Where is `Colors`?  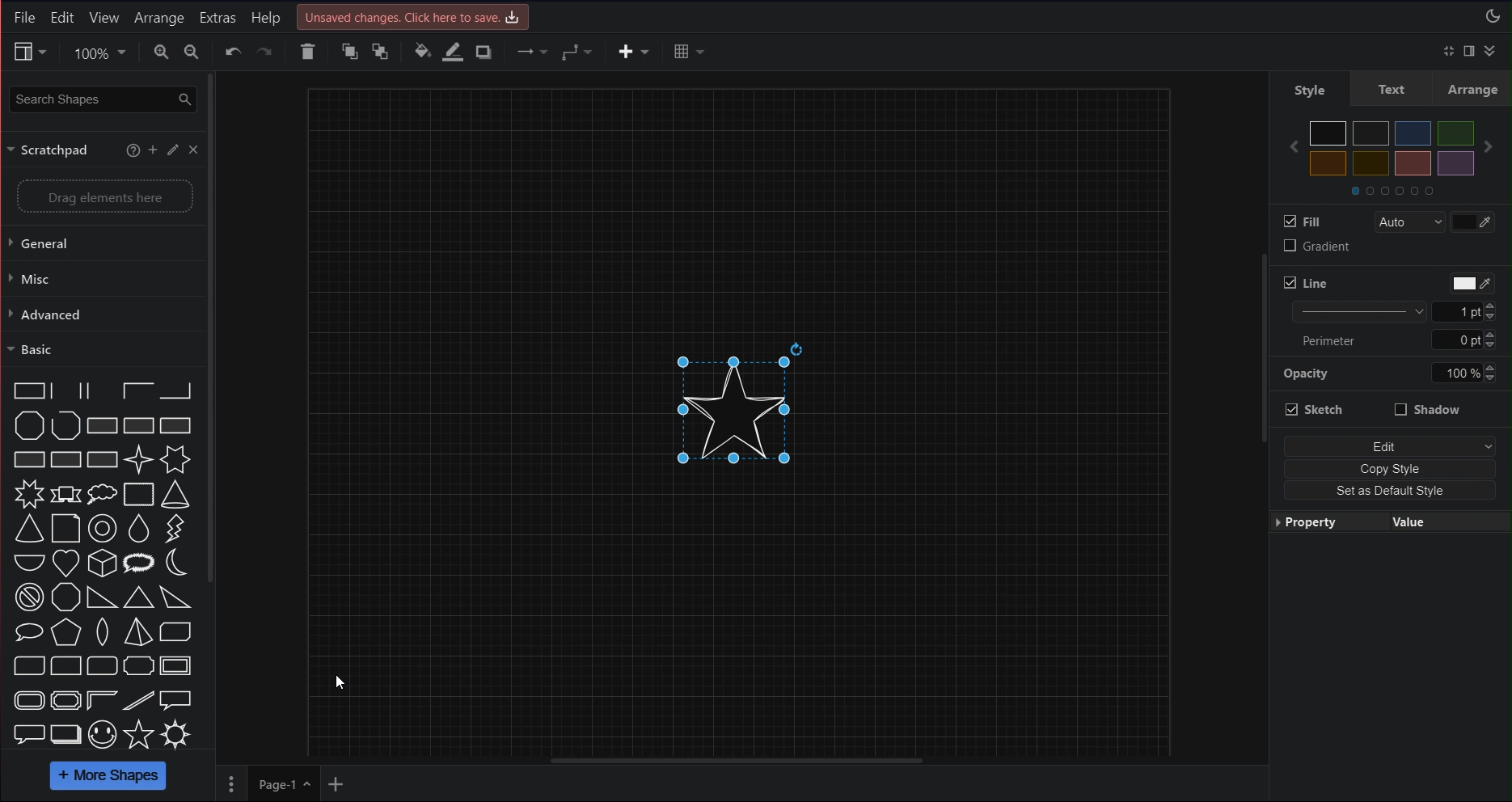 Colors is located at coordinates (1392, 147).